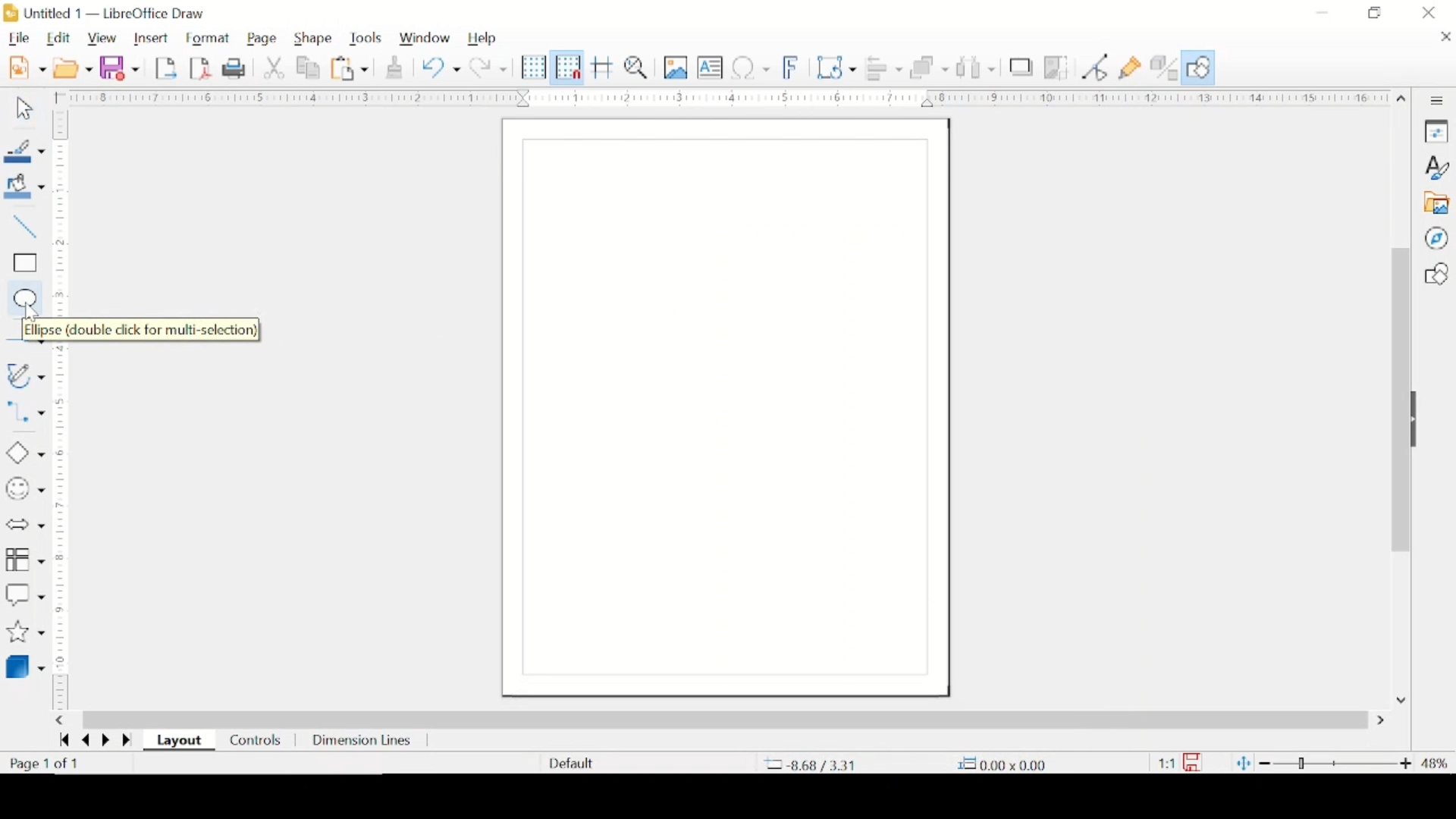  Describe the element at coordinates (1436, 238) in the screenshot. I see `navigator` at that location.